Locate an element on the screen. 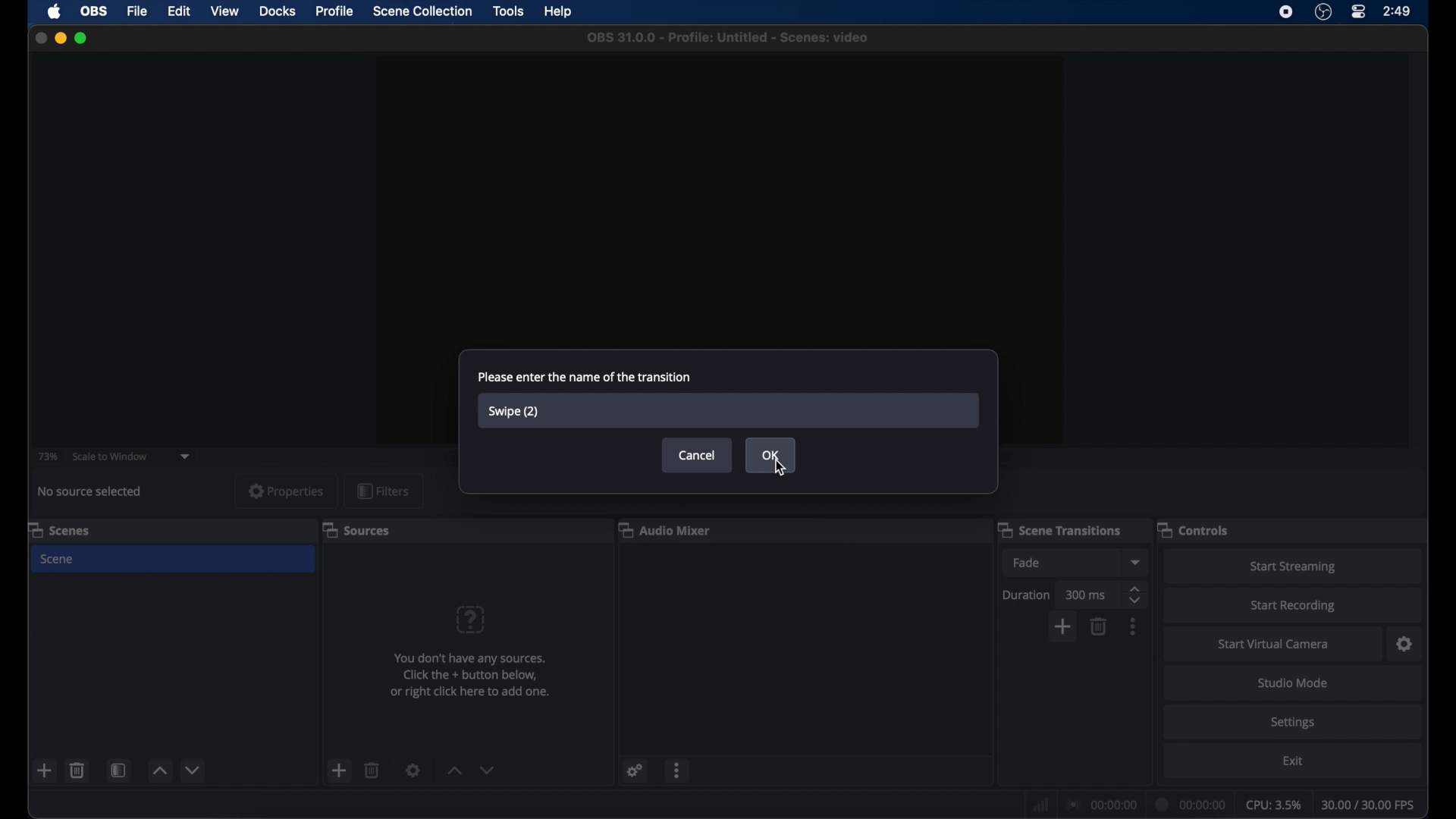 Image resolution: width=1456 pixels, height=819 pixels. network is located at coordinates (1039, 805).